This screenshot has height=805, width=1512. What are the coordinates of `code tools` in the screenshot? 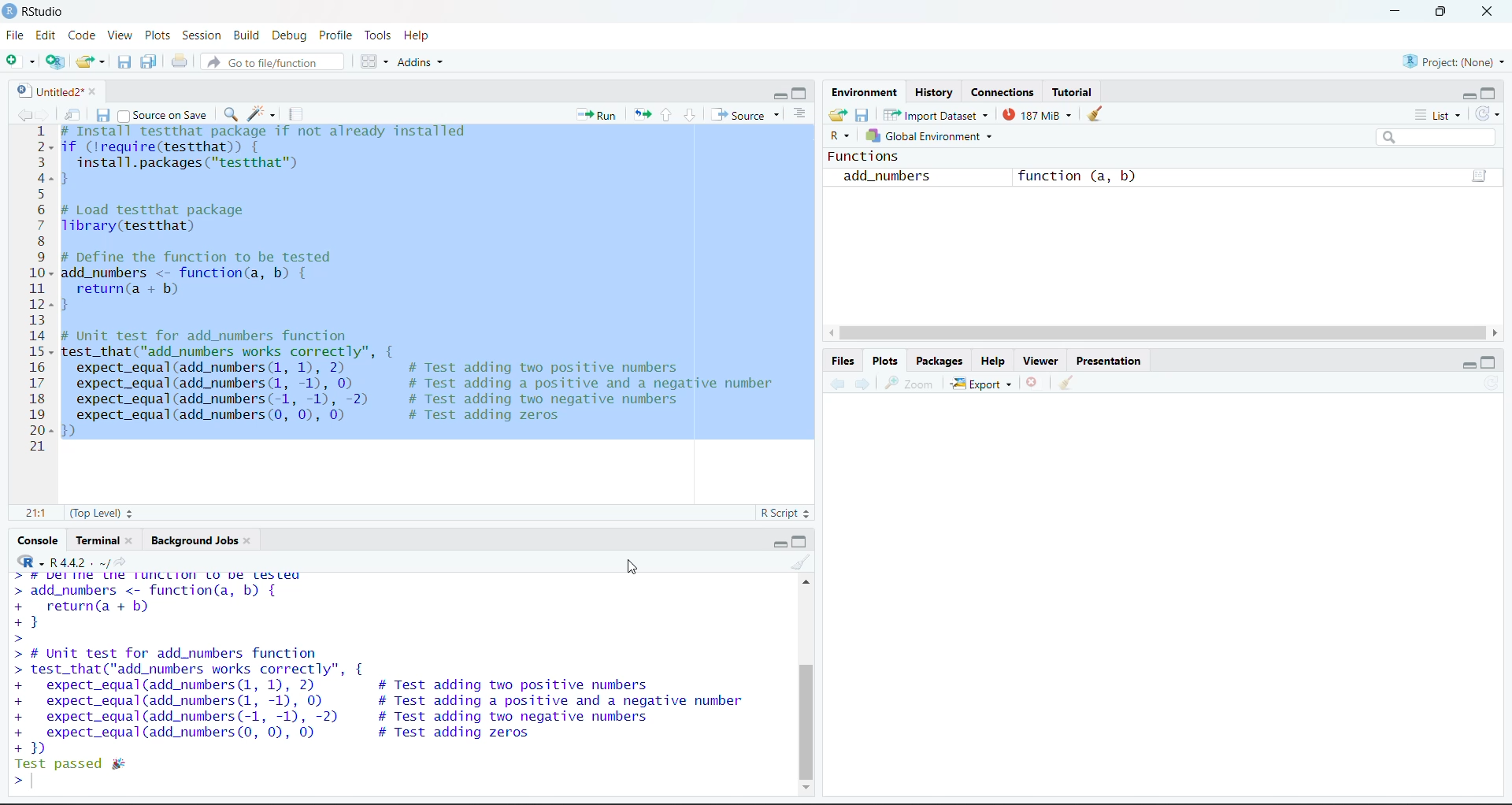 It's located at (260, 115).